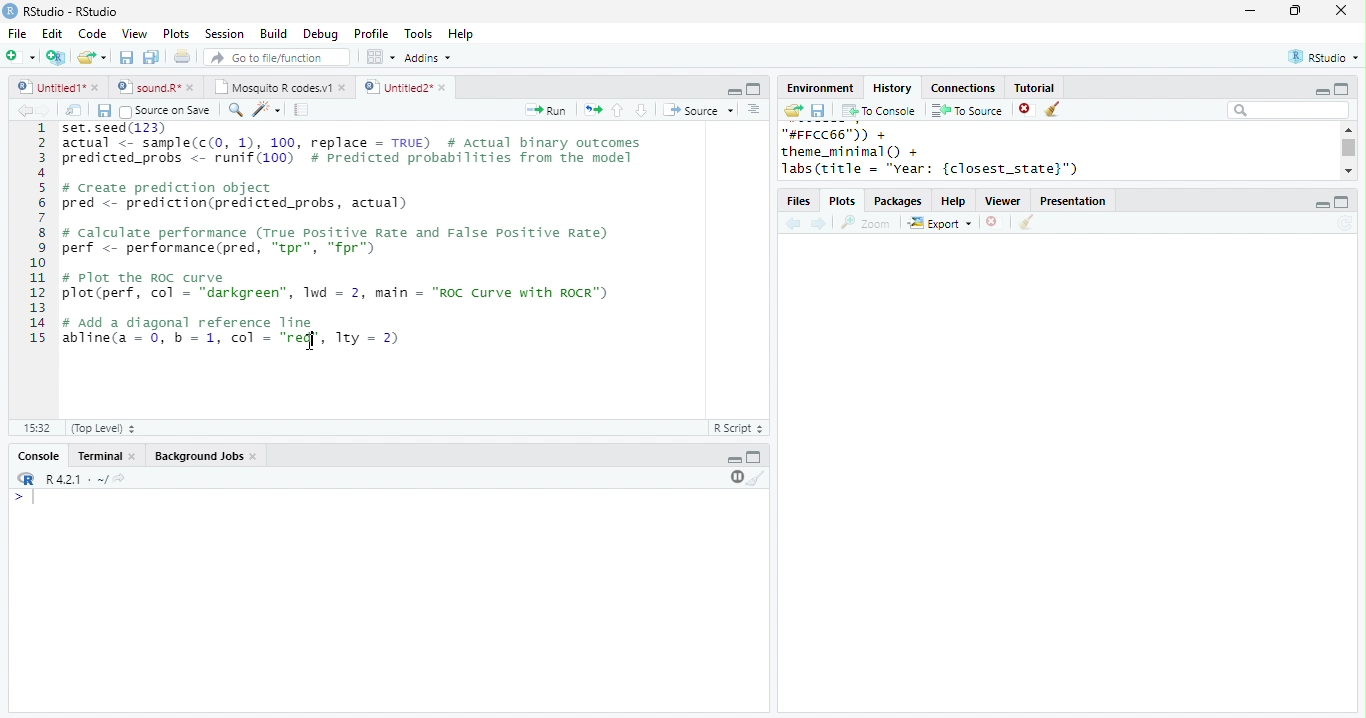 The height and width of the screenshot is (718, 1366). Describe the element at coordinates (17, 34) in the screenshot. I see `File` at that location.